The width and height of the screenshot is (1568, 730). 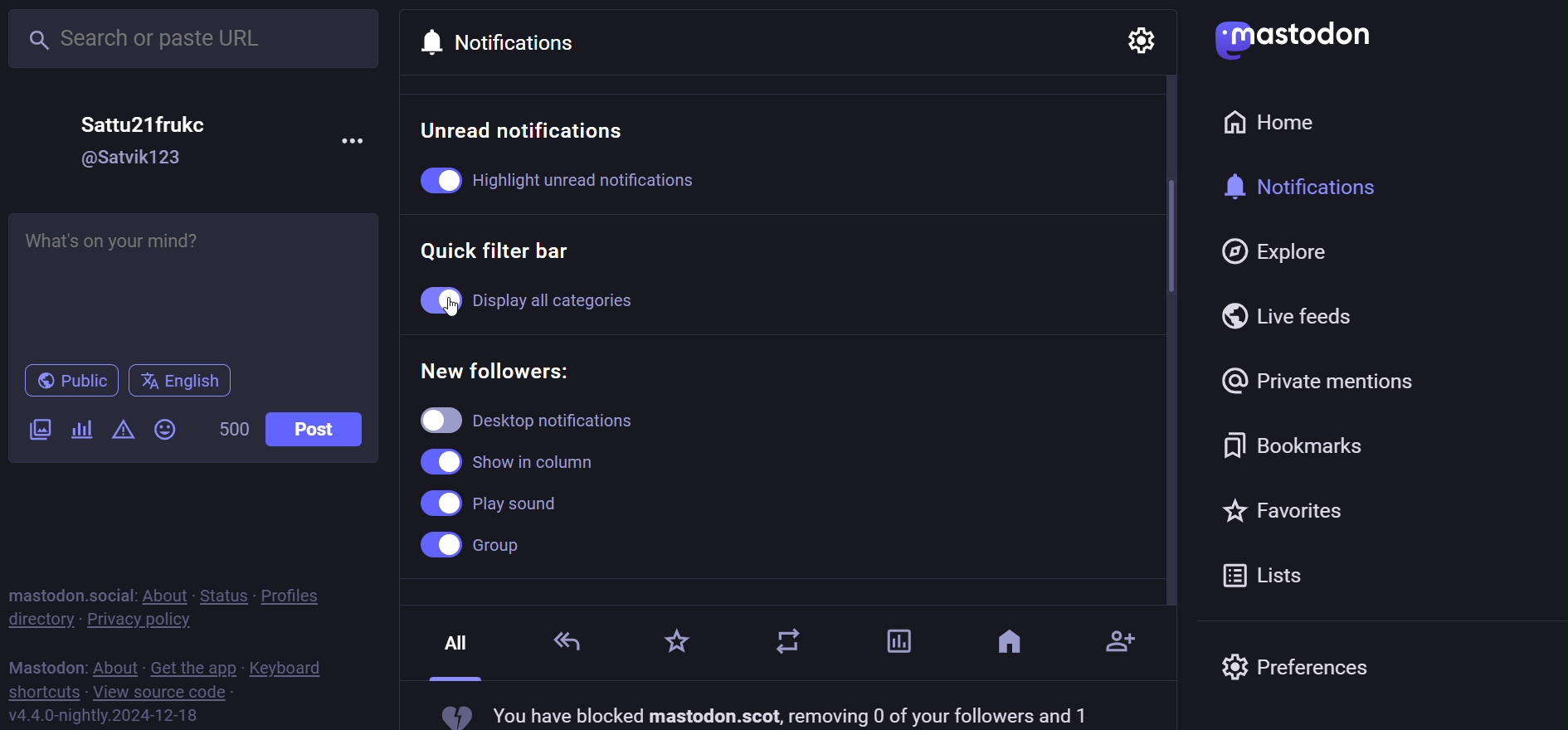 What do you see at coordinates (189, 280) in the screenshot?
I see `What's on your mind?` at bounding box center [189, 280].